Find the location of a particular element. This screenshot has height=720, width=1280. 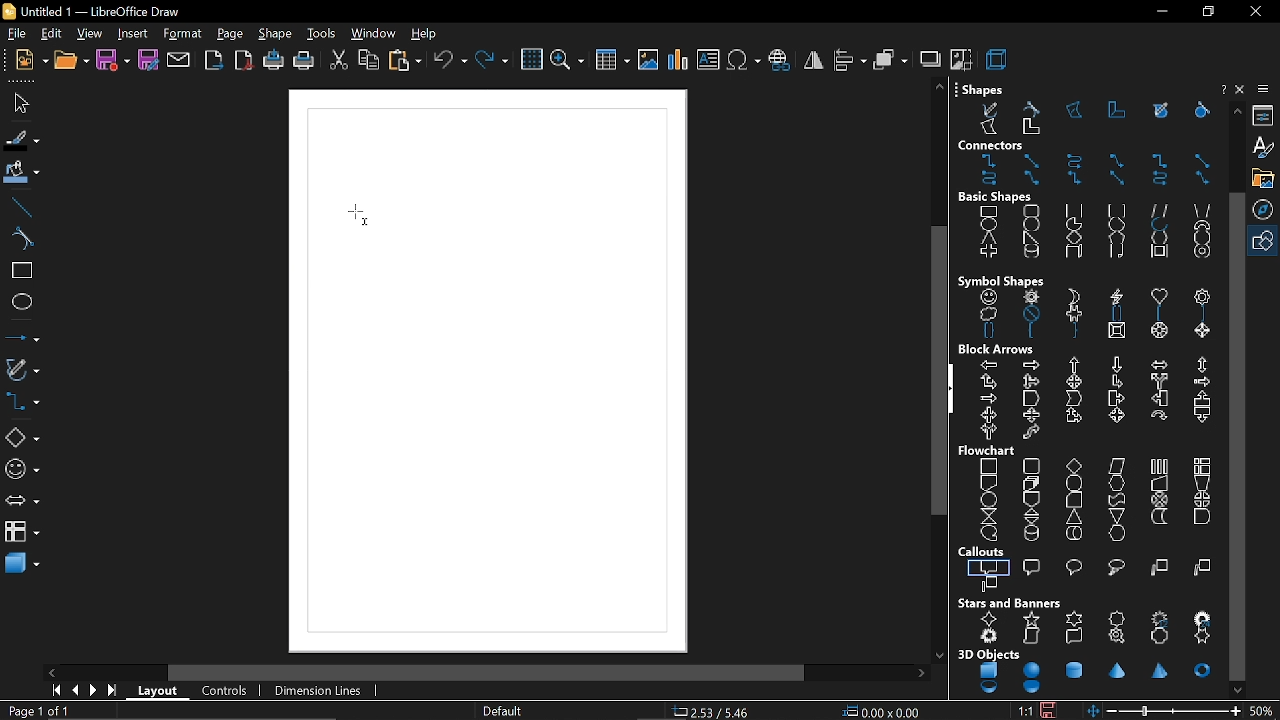

connectors is located at coordinates (21, 402).